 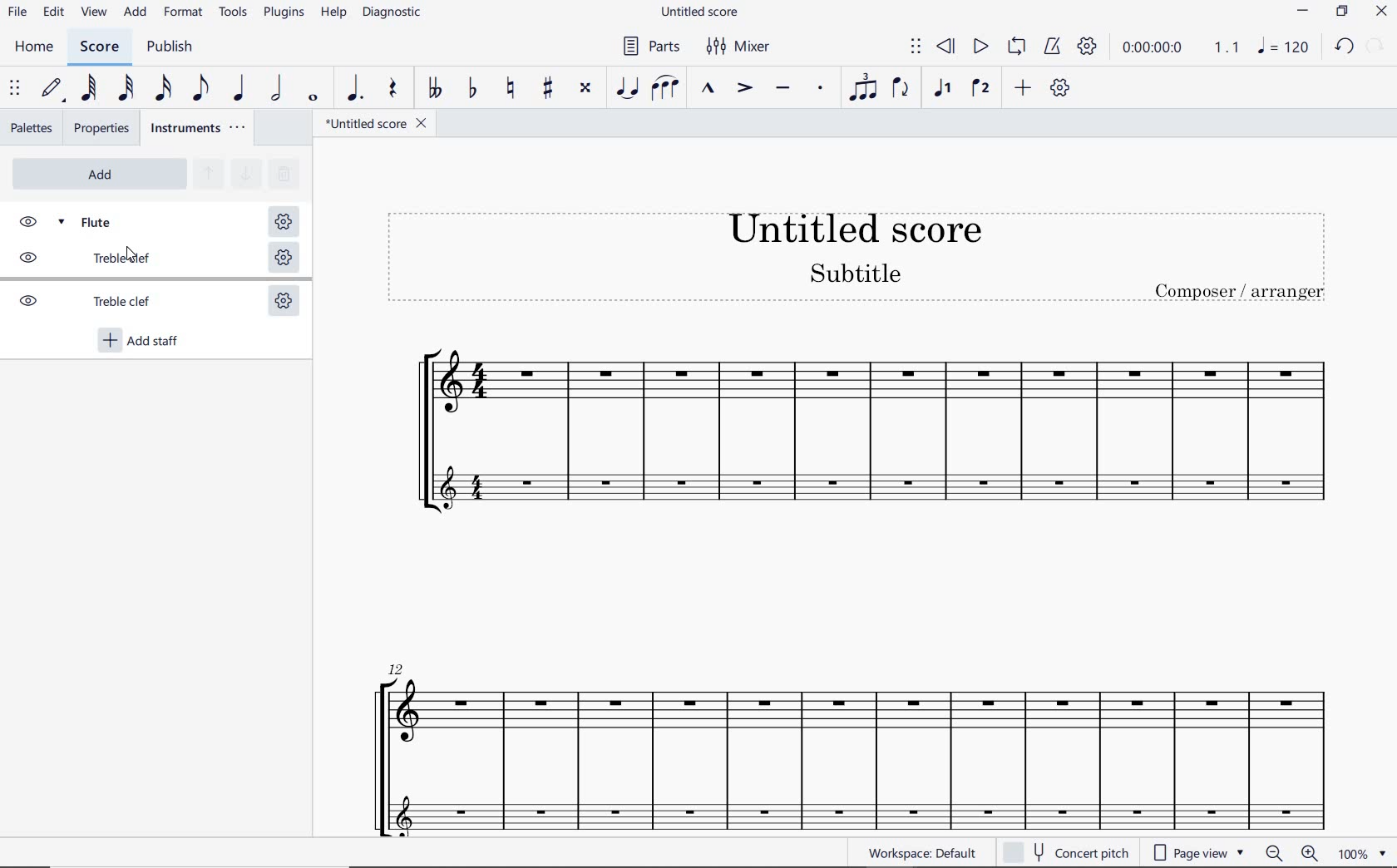 I want to click on FLUTE, so click(x=104, y=220).